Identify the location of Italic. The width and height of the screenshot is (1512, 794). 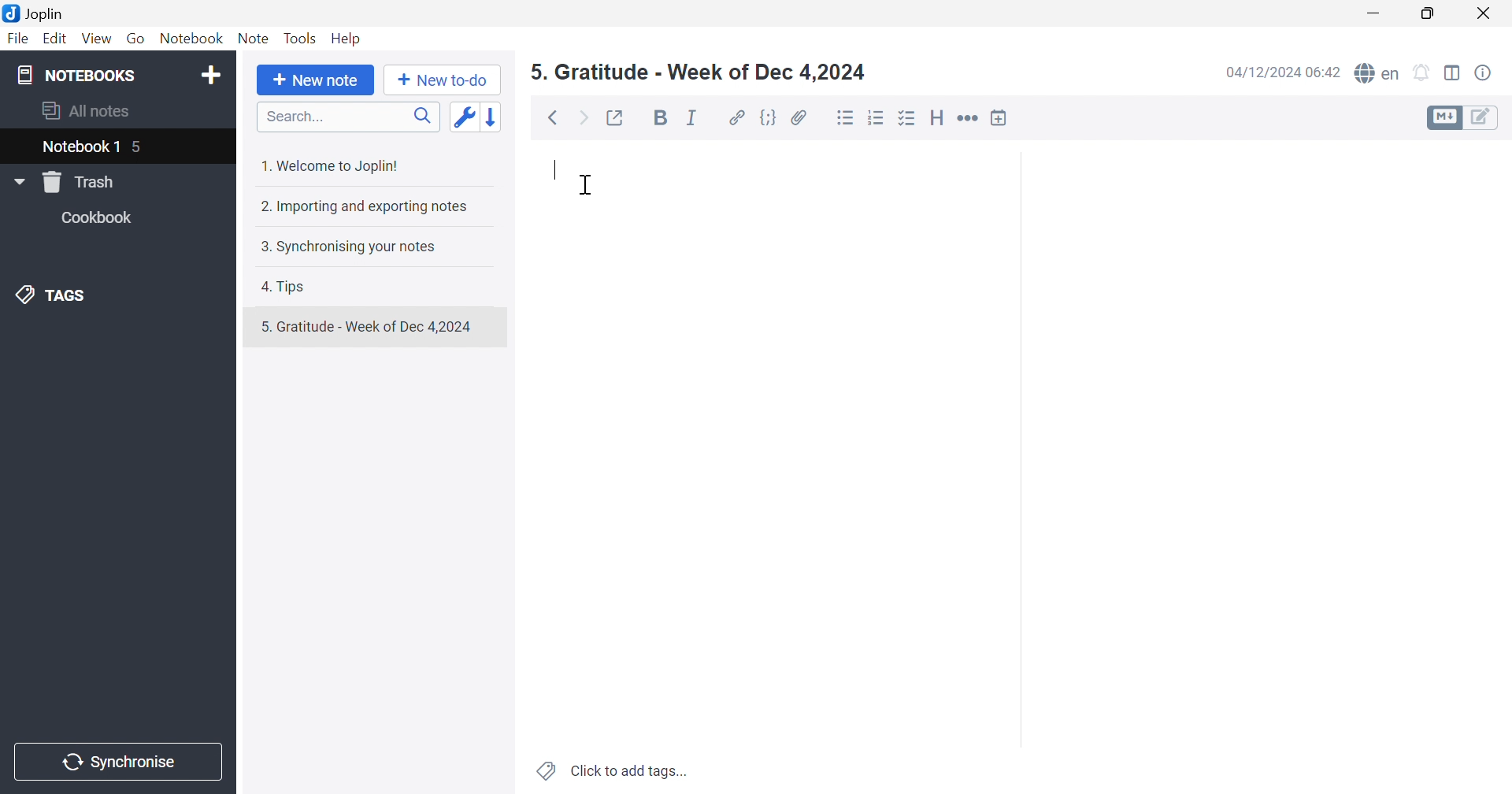
(691, 117).